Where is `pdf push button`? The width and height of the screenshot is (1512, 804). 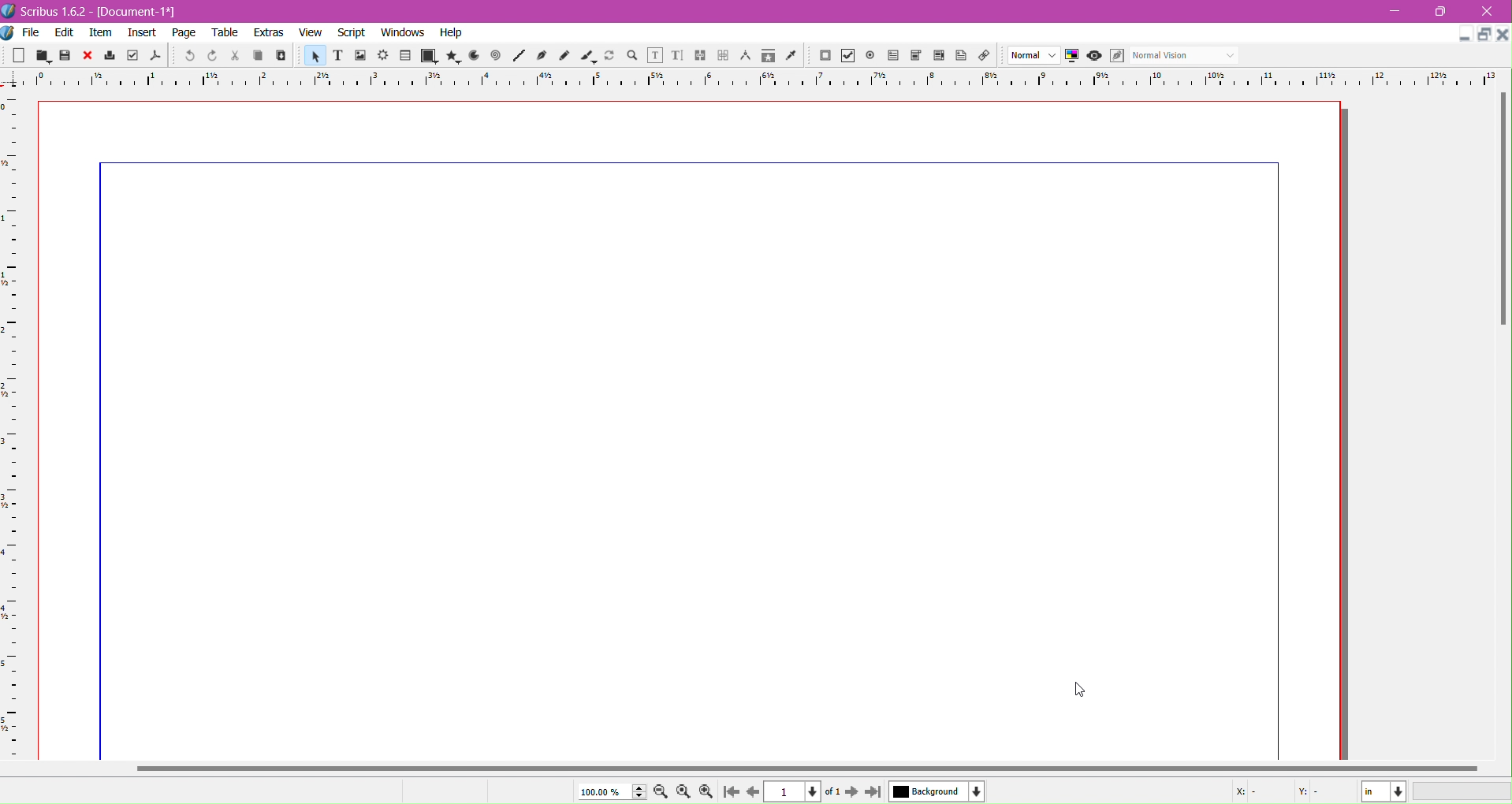 pdf push button is located at coordinates (825, 56).